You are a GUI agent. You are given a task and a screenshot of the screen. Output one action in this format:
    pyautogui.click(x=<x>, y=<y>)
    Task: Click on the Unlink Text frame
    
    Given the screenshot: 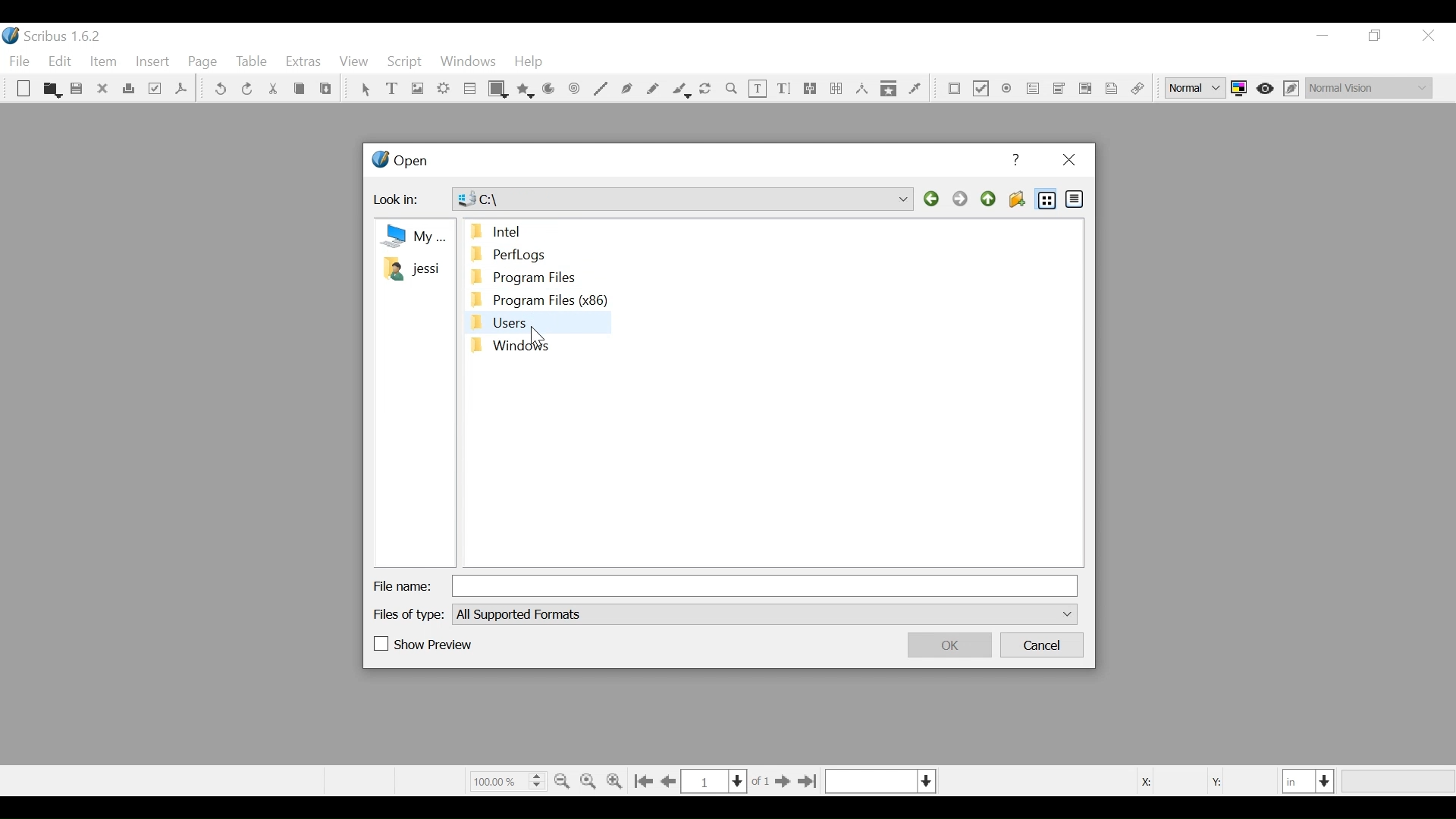 What is the action you would take?
    pyautogui.click(x=836, y=89)
    